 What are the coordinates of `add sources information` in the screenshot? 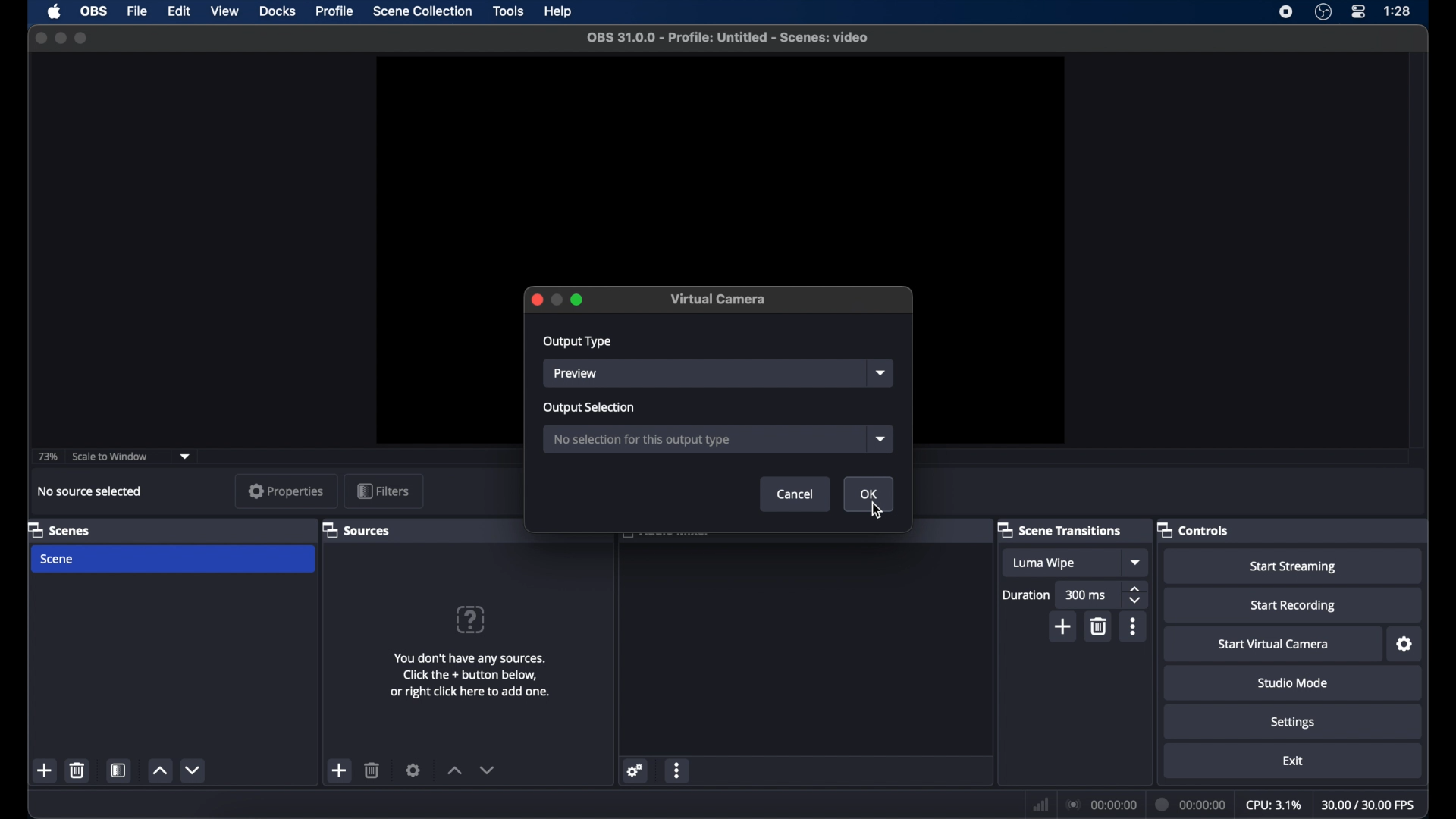 It's located at (470, 676).